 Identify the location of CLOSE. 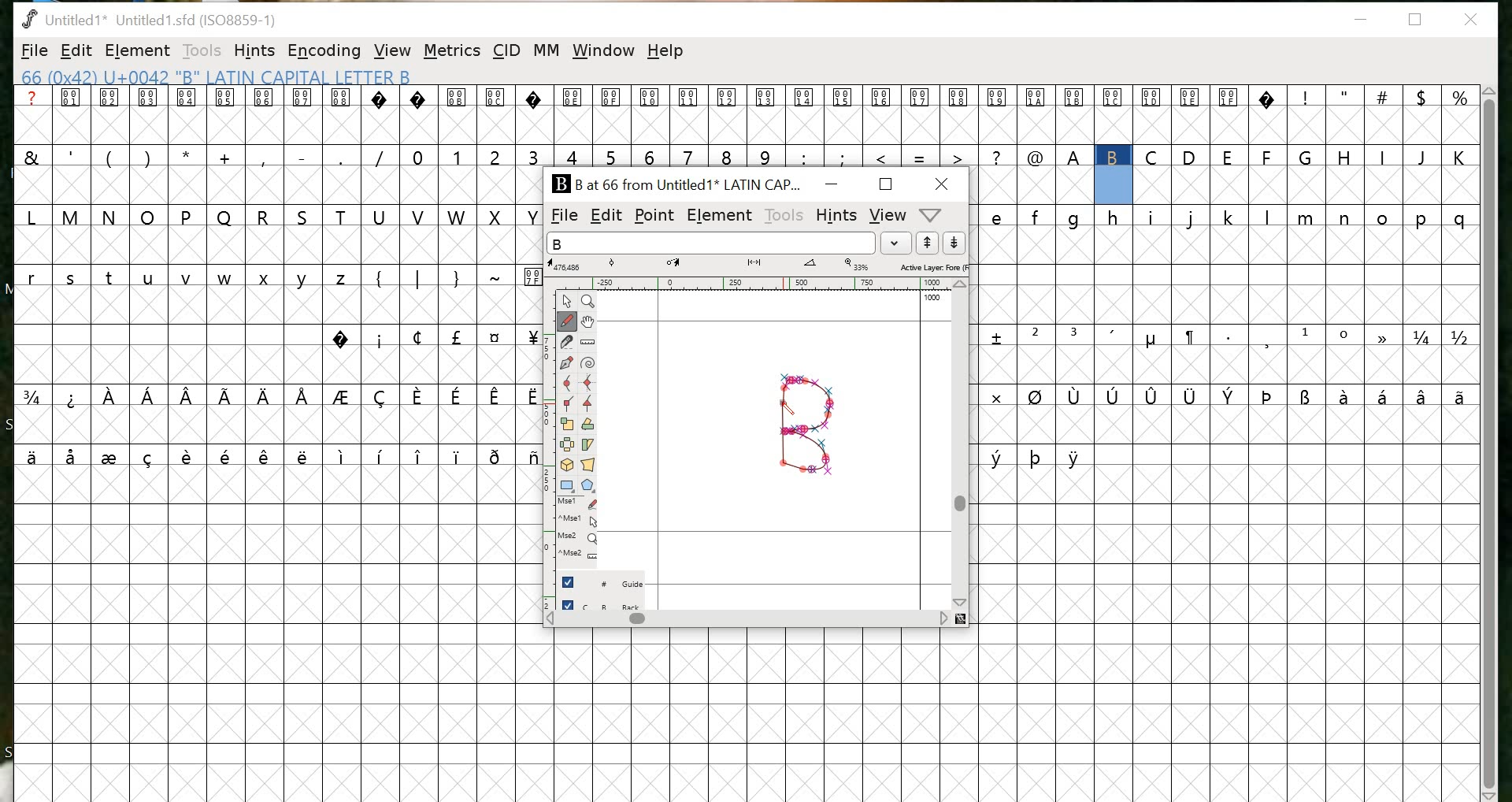
(943, 184).